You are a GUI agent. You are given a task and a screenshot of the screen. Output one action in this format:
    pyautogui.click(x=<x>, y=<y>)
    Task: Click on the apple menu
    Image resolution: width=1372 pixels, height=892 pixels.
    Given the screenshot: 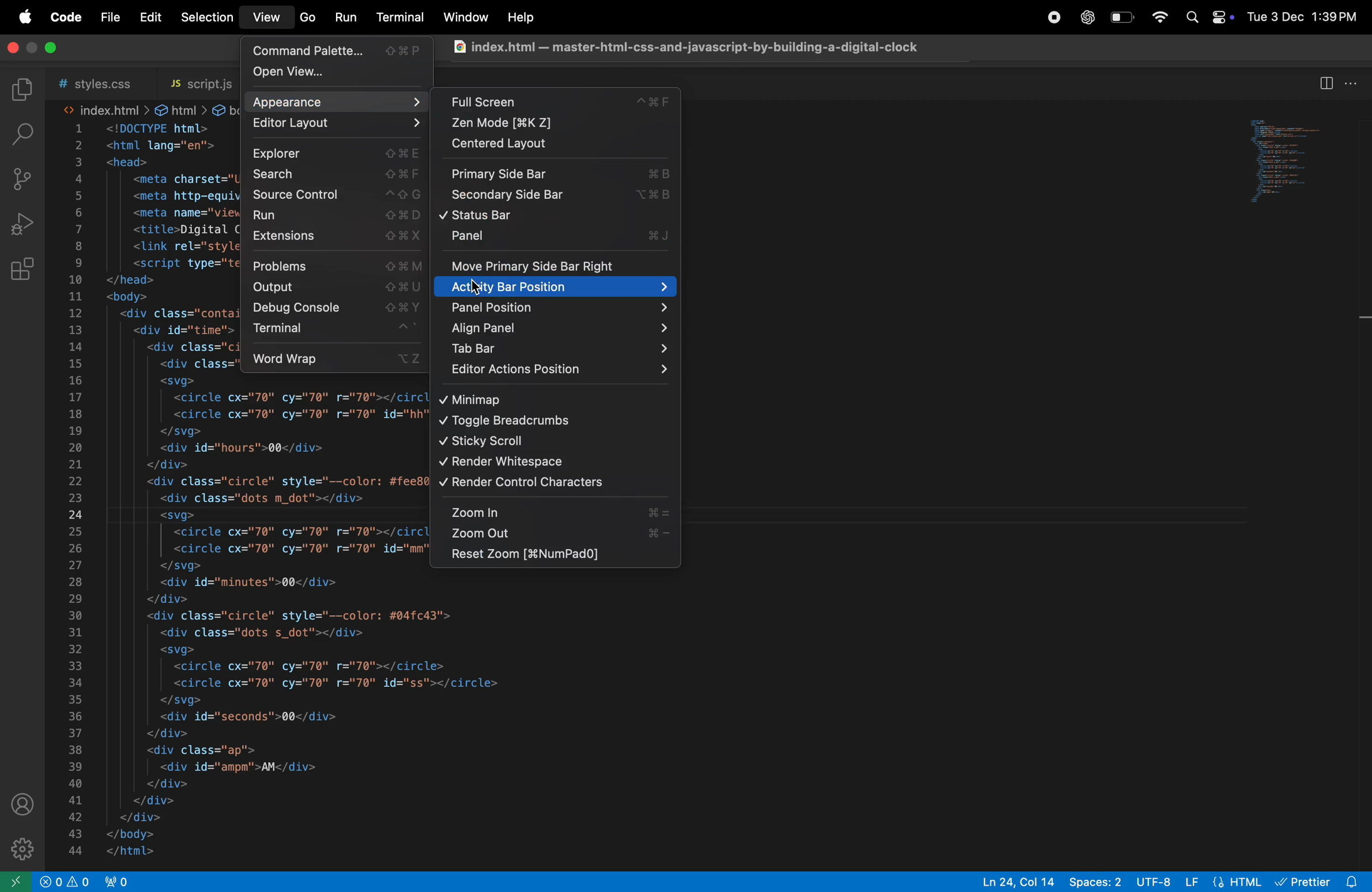 What is the action you would take?
    pyautogui.click(x=24, y=17)
    